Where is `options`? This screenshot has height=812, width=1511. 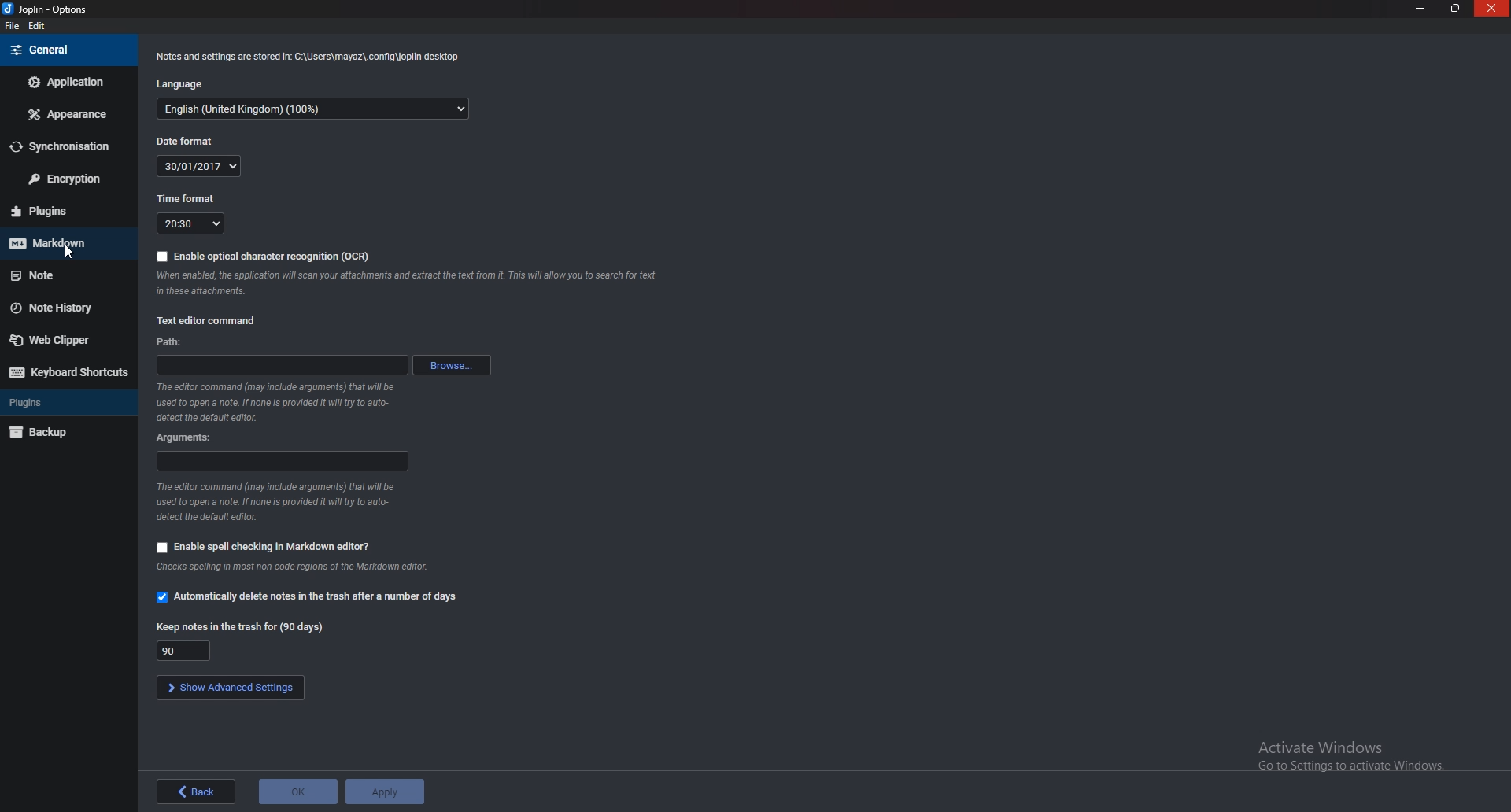
options is located at coordinates (53, 9).